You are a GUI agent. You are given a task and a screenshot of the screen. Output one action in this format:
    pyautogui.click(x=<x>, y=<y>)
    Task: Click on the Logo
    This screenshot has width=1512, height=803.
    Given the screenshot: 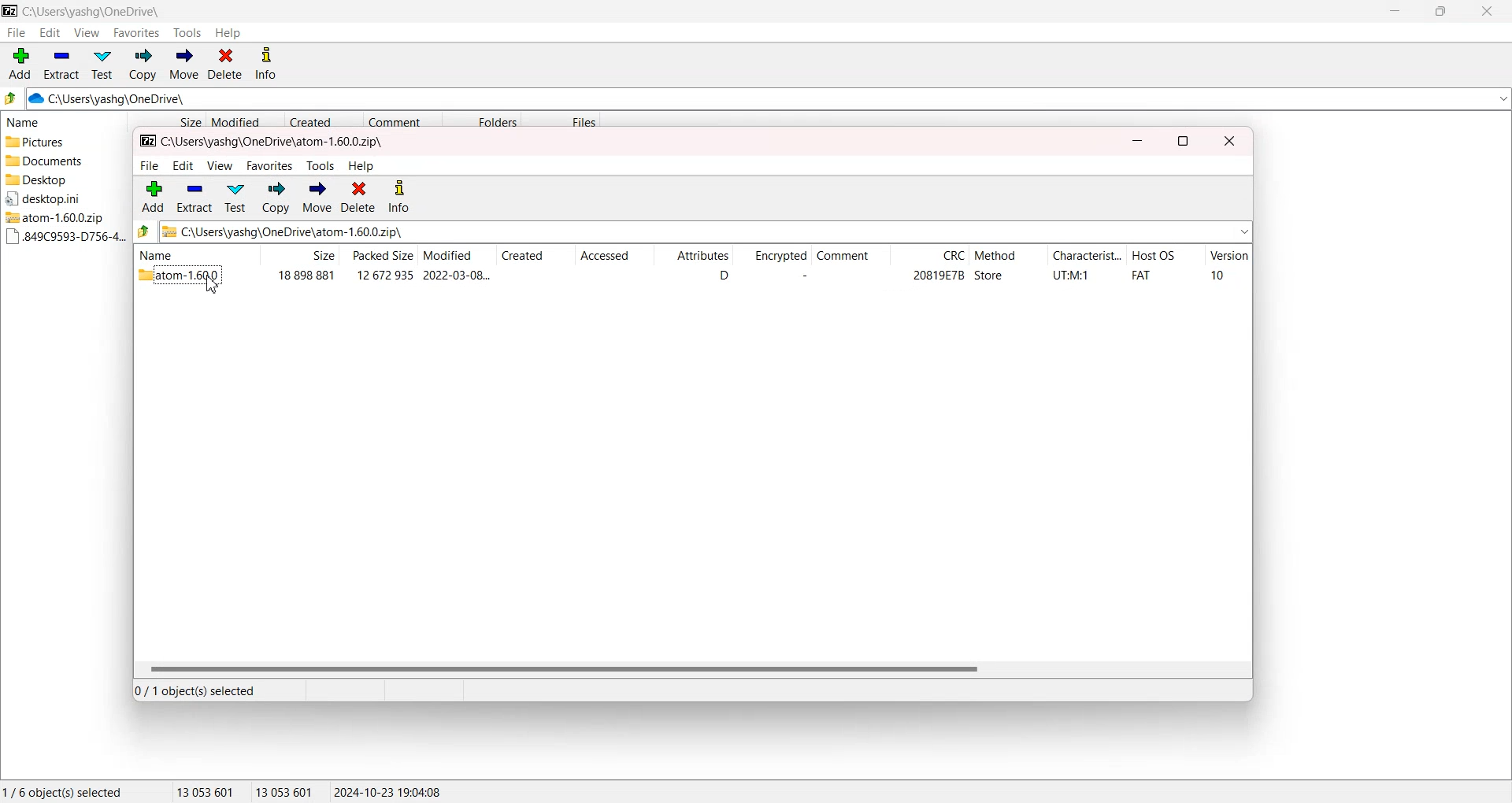 What is the action you would take?
    pyautogui.click(x=10, y=10)
    